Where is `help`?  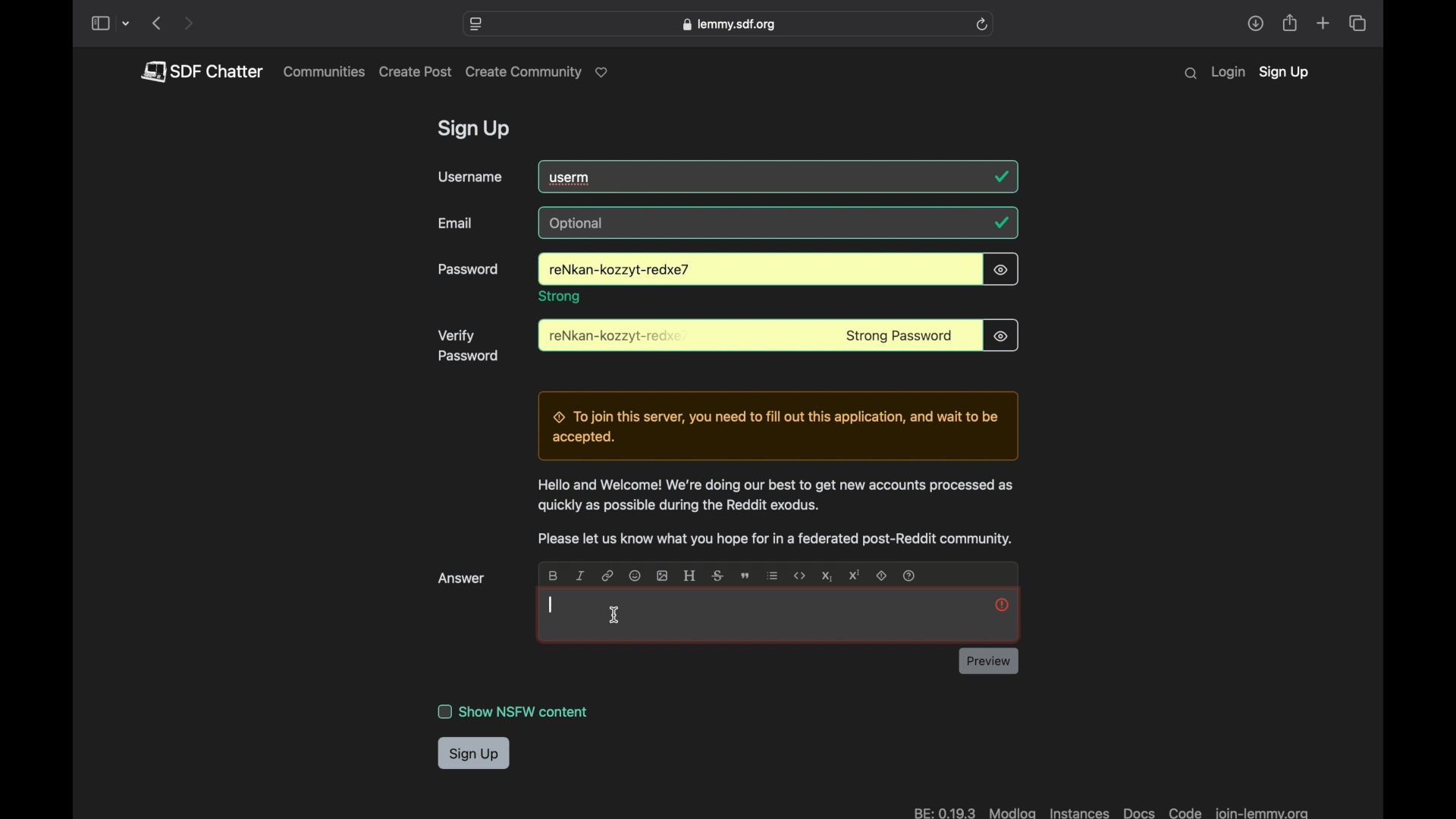 help is located at coordinates (910, 576).